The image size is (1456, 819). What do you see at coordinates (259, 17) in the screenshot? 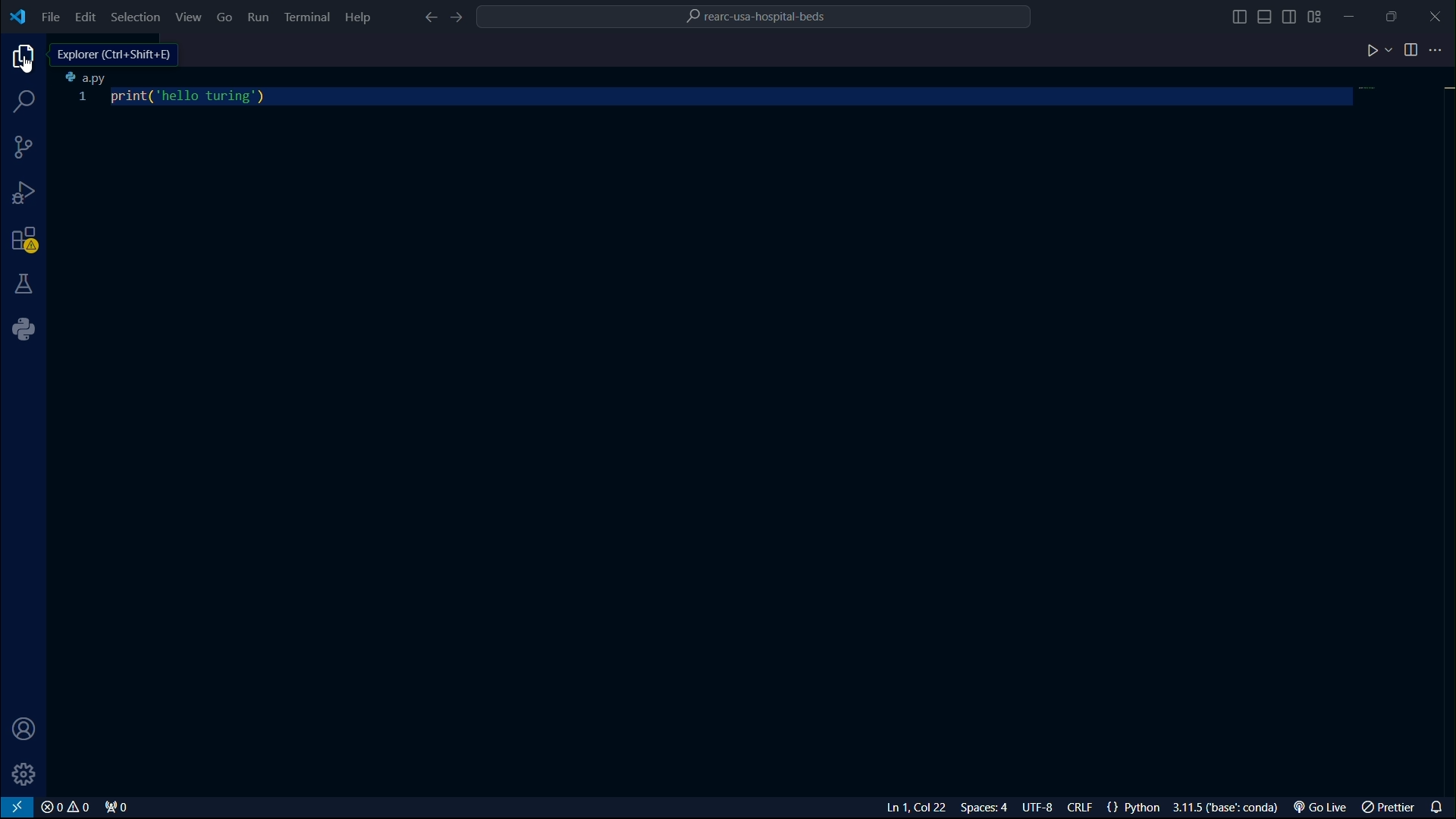
I see `run menu` at bounding box center [259, 17].